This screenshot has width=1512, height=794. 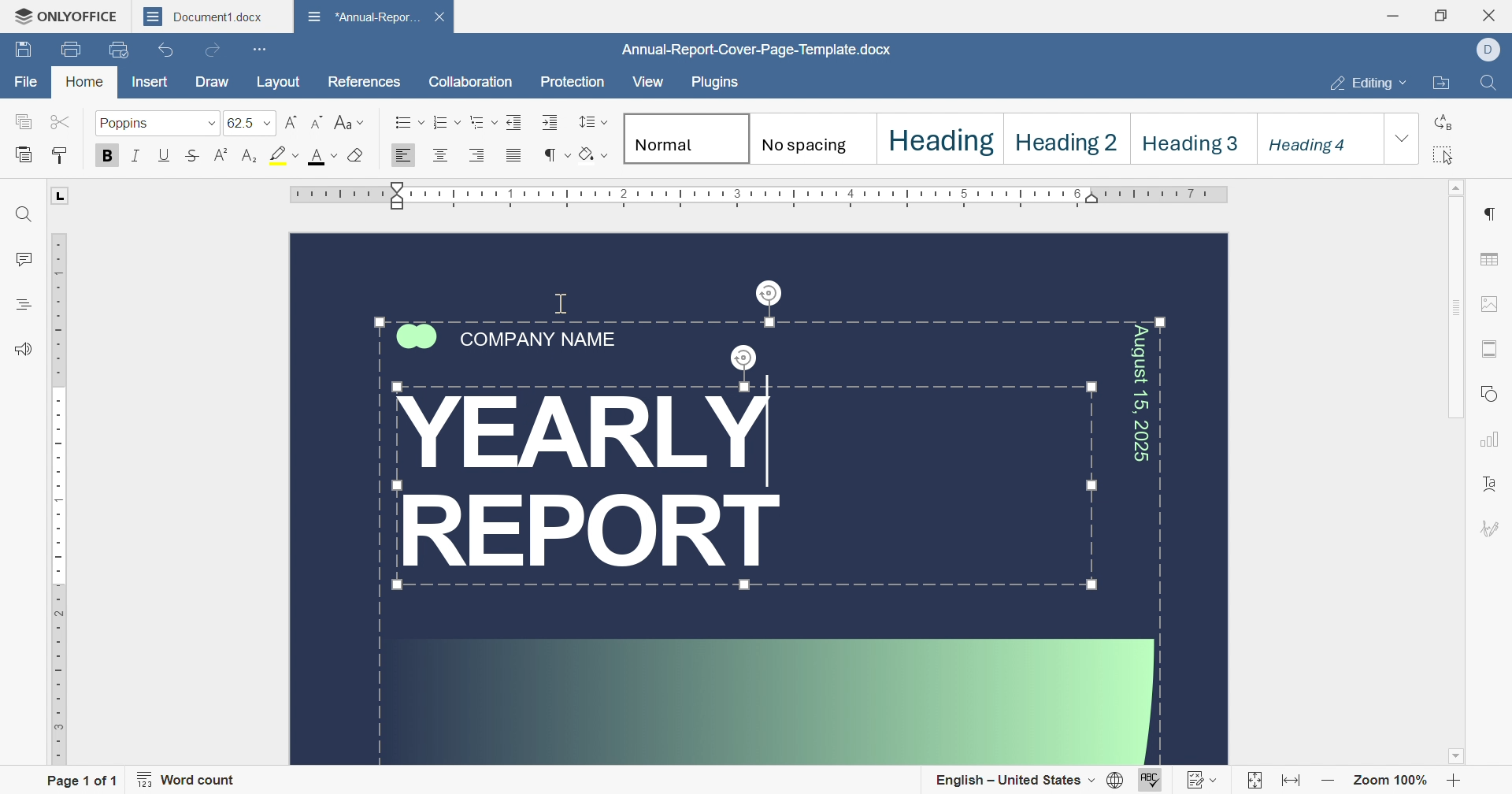 I want to click on open file location, so click(x=1440, y=84).